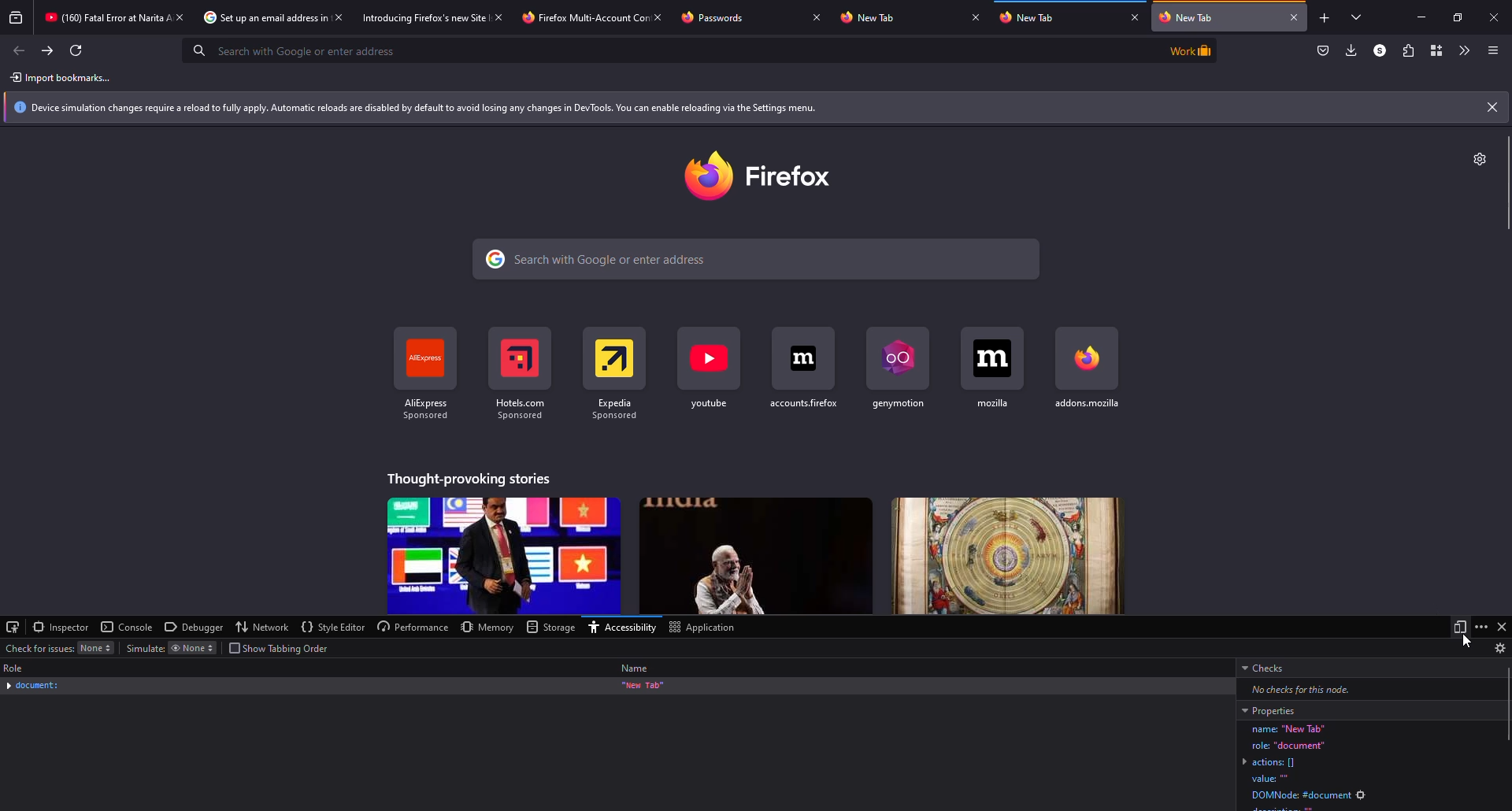  What do you see at coordinates (145, 647) in the screenshot?
I see `simulate` at bounding box center [145, 647].